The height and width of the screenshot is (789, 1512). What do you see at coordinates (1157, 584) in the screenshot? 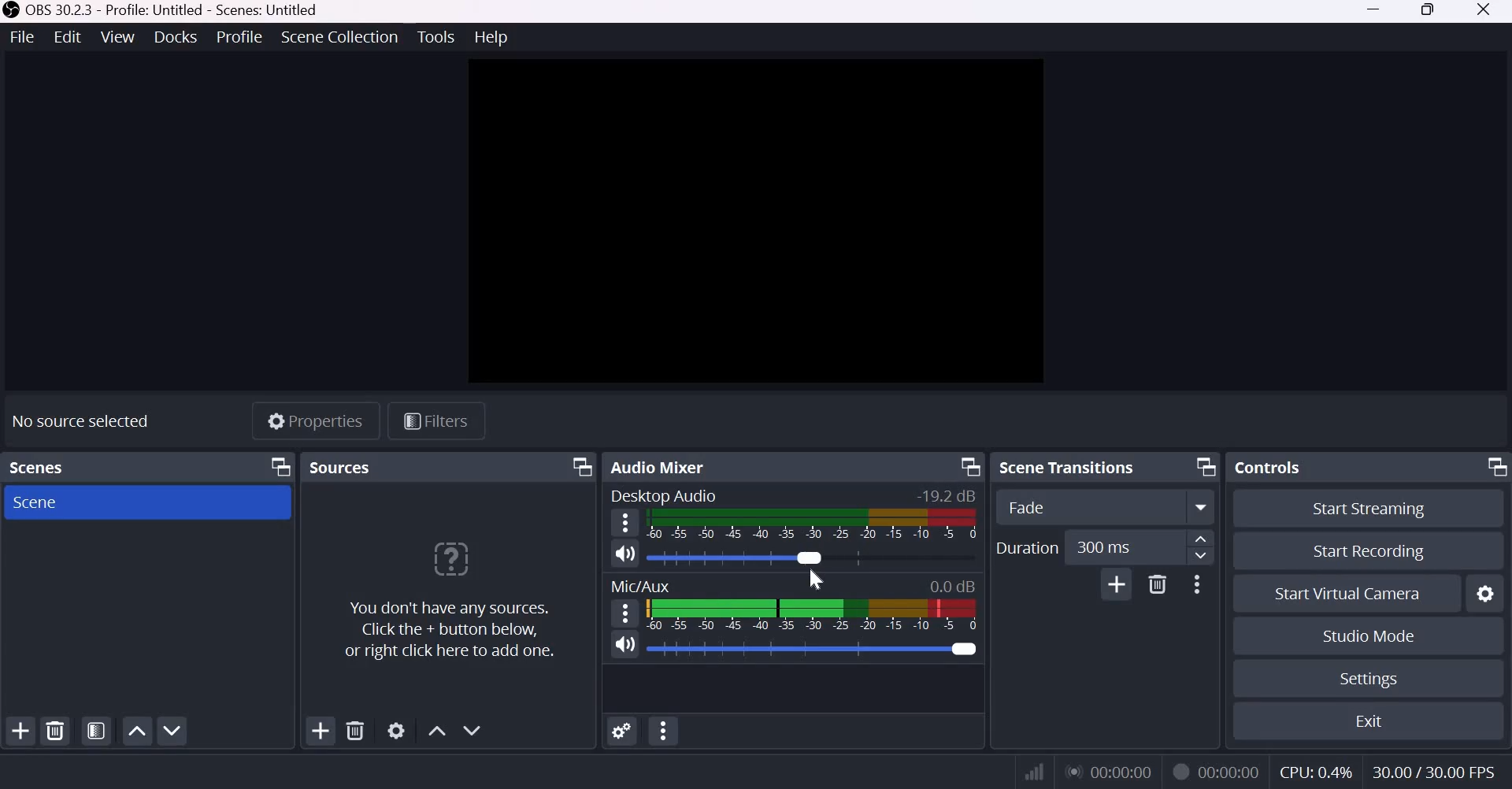
I see `Delete Transition` at bounding box center [1157, 584].